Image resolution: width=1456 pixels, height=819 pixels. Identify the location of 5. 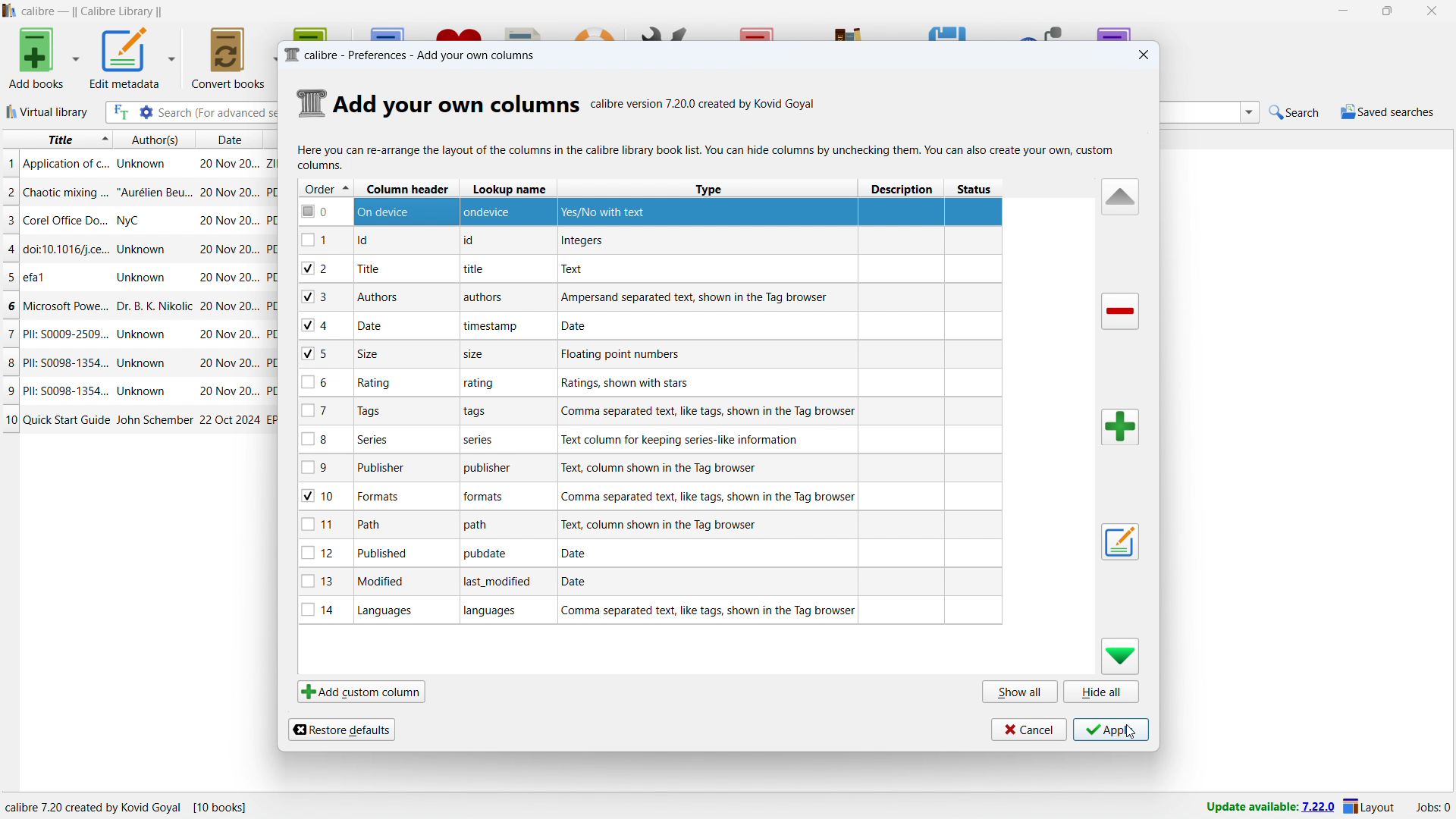
(9, 278).